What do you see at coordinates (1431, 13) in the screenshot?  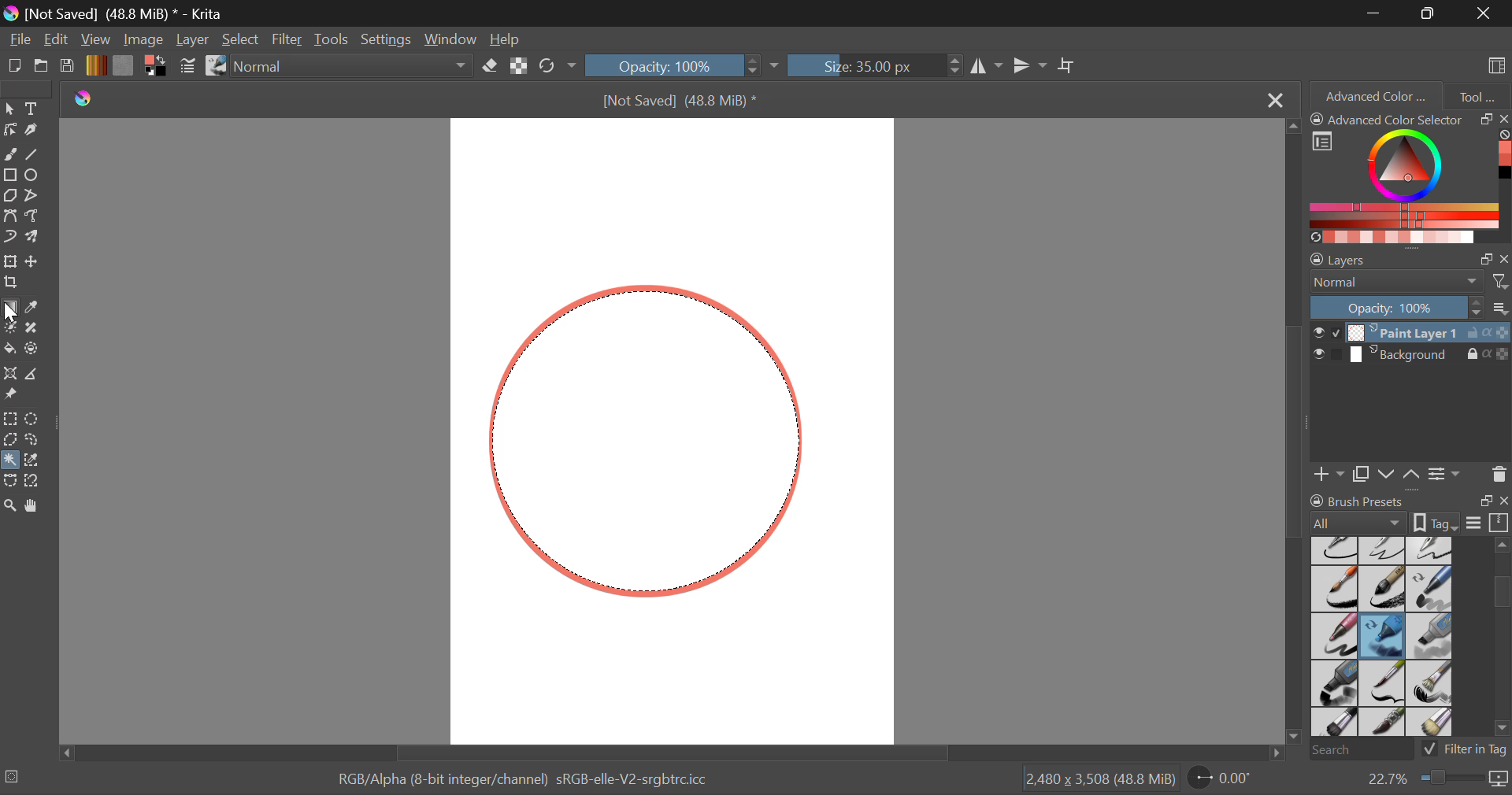 I see `Minimize` at bounding box center [1431, 13].